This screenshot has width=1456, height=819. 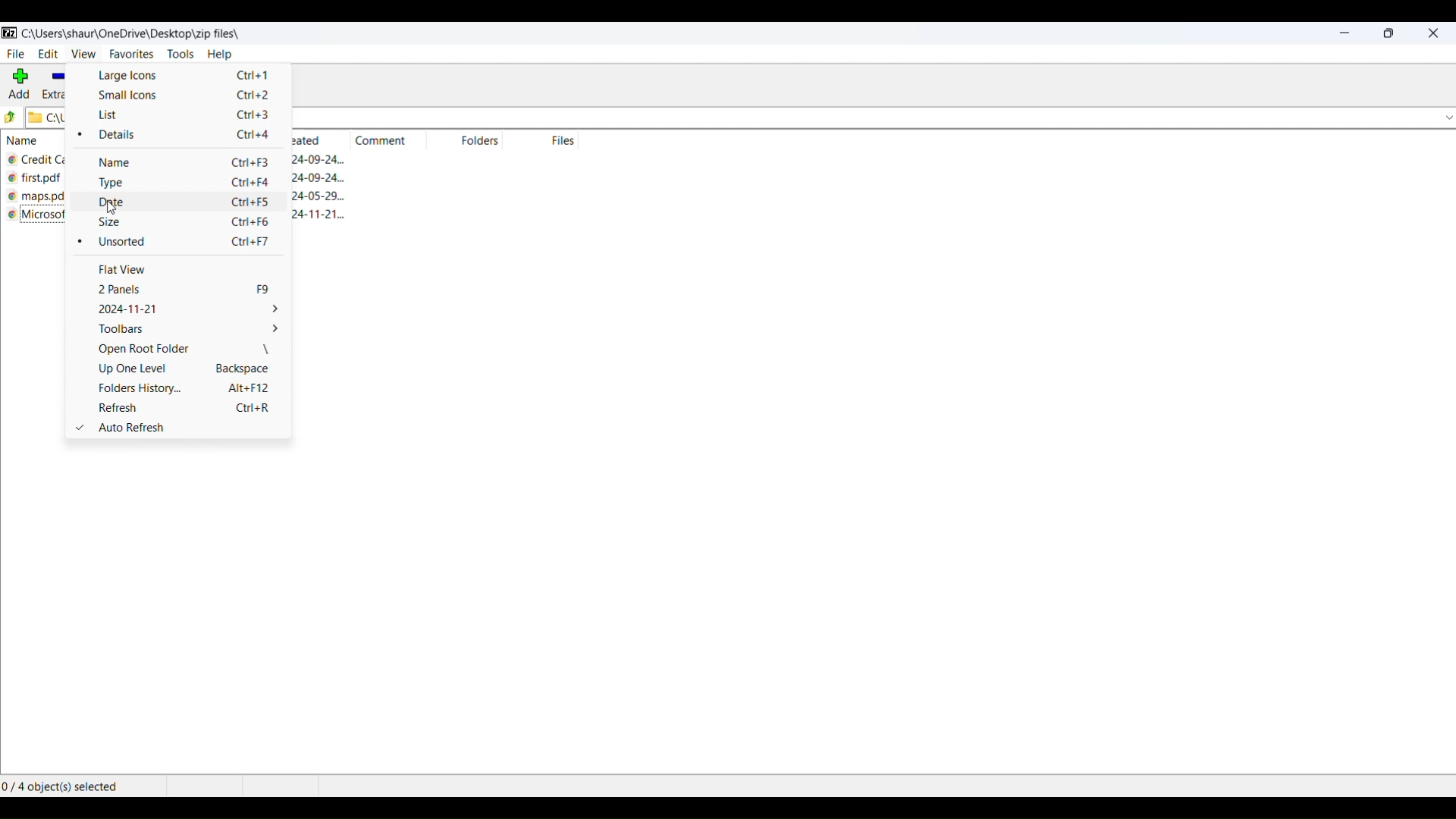 What do you see at coordinates (10, 117) in the screenshot?
I see `up to parent folder` at bounding box center [10, 117].